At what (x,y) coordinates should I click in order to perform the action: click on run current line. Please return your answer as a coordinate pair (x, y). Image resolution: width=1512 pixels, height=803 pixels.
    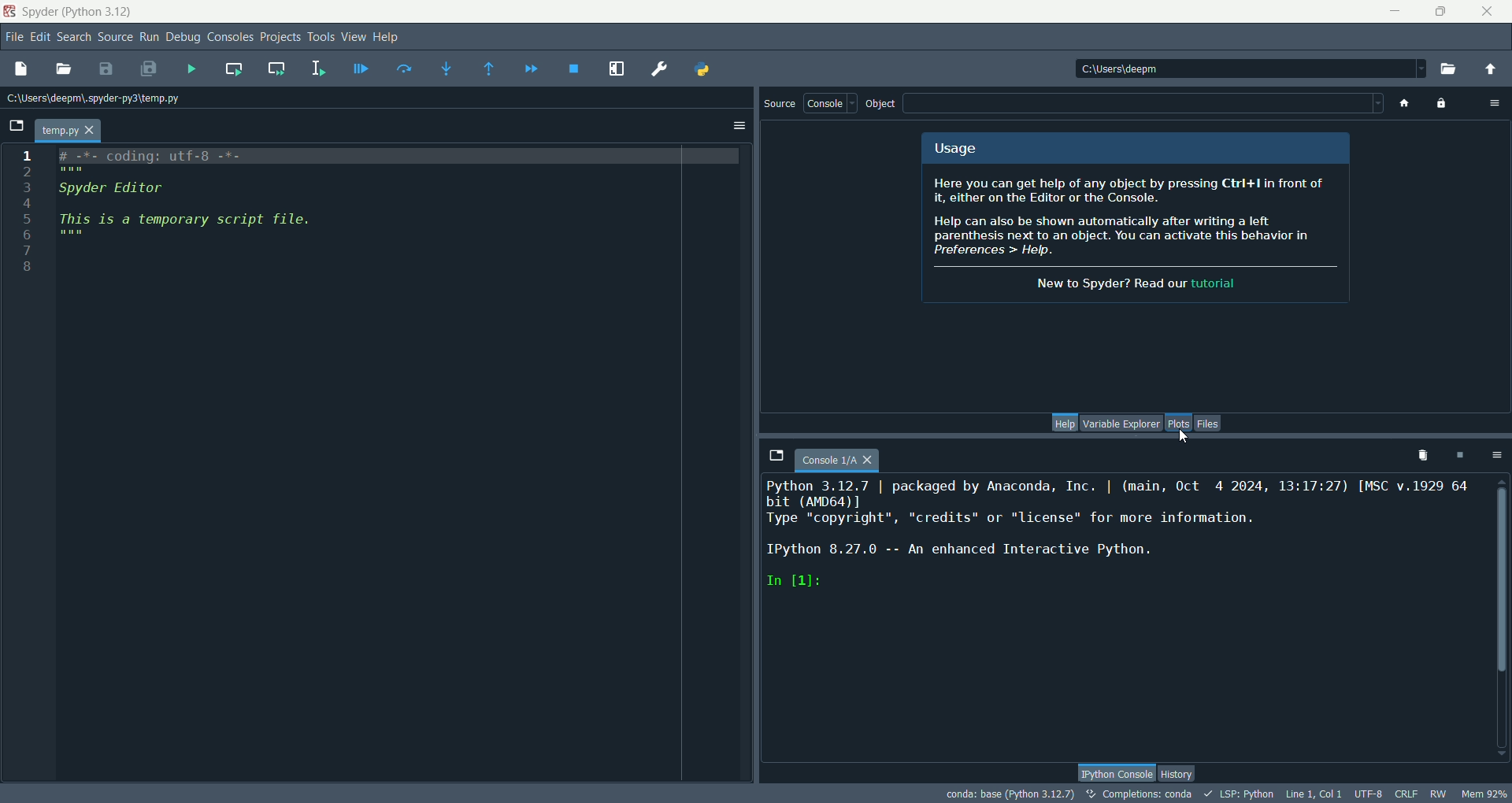
    Looking at the image, I should click on (402, 68).